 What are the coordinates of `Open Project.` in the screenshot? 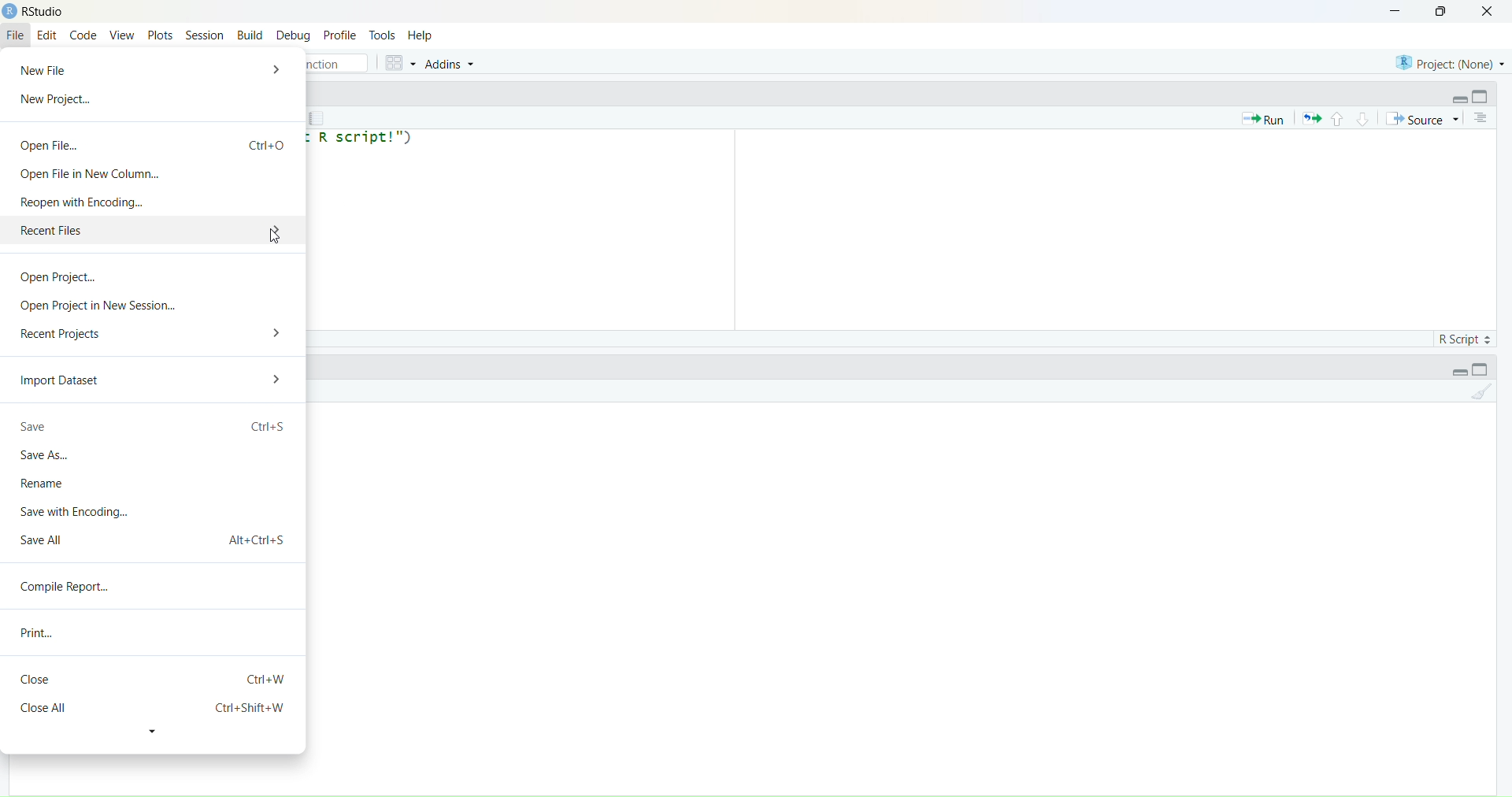 It's located at (59, 280).